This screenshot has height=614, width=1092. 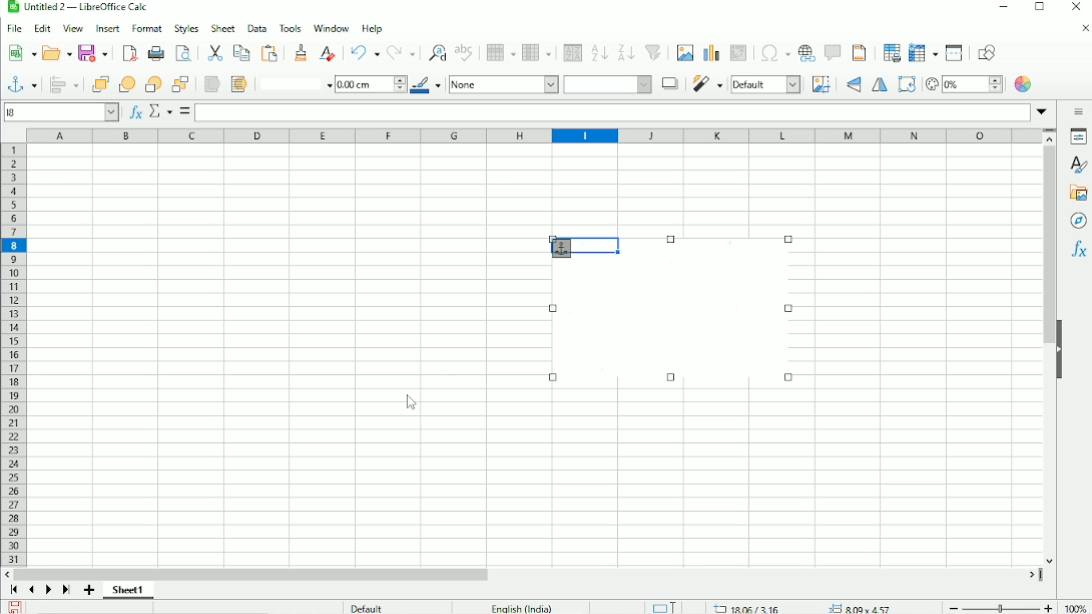 I want to click on bring to front, so click(x=101, y=84).